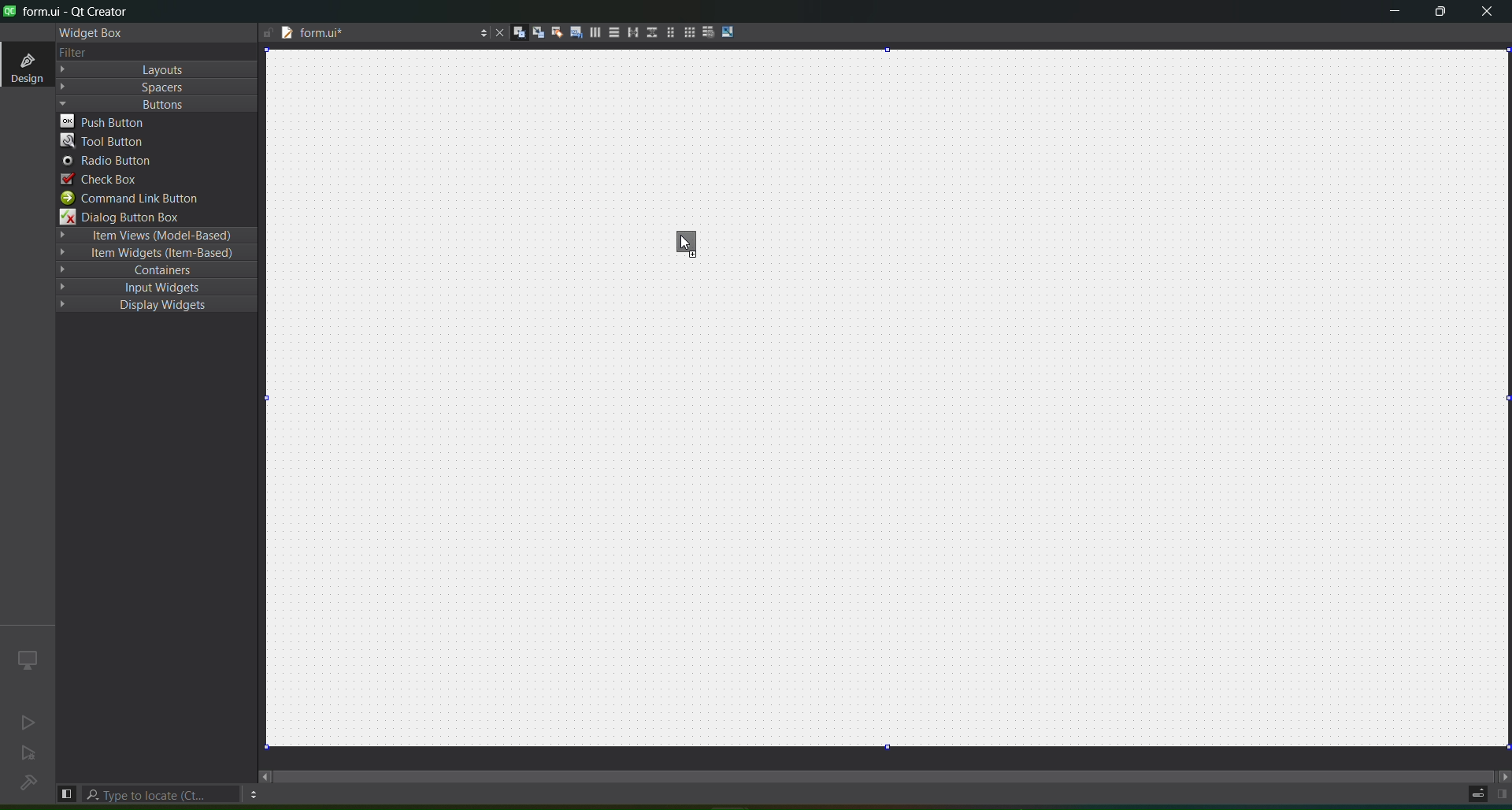 The width and height of the screenshot is (1512, 810). I want to click on Display Widgets, so click(161, 310).